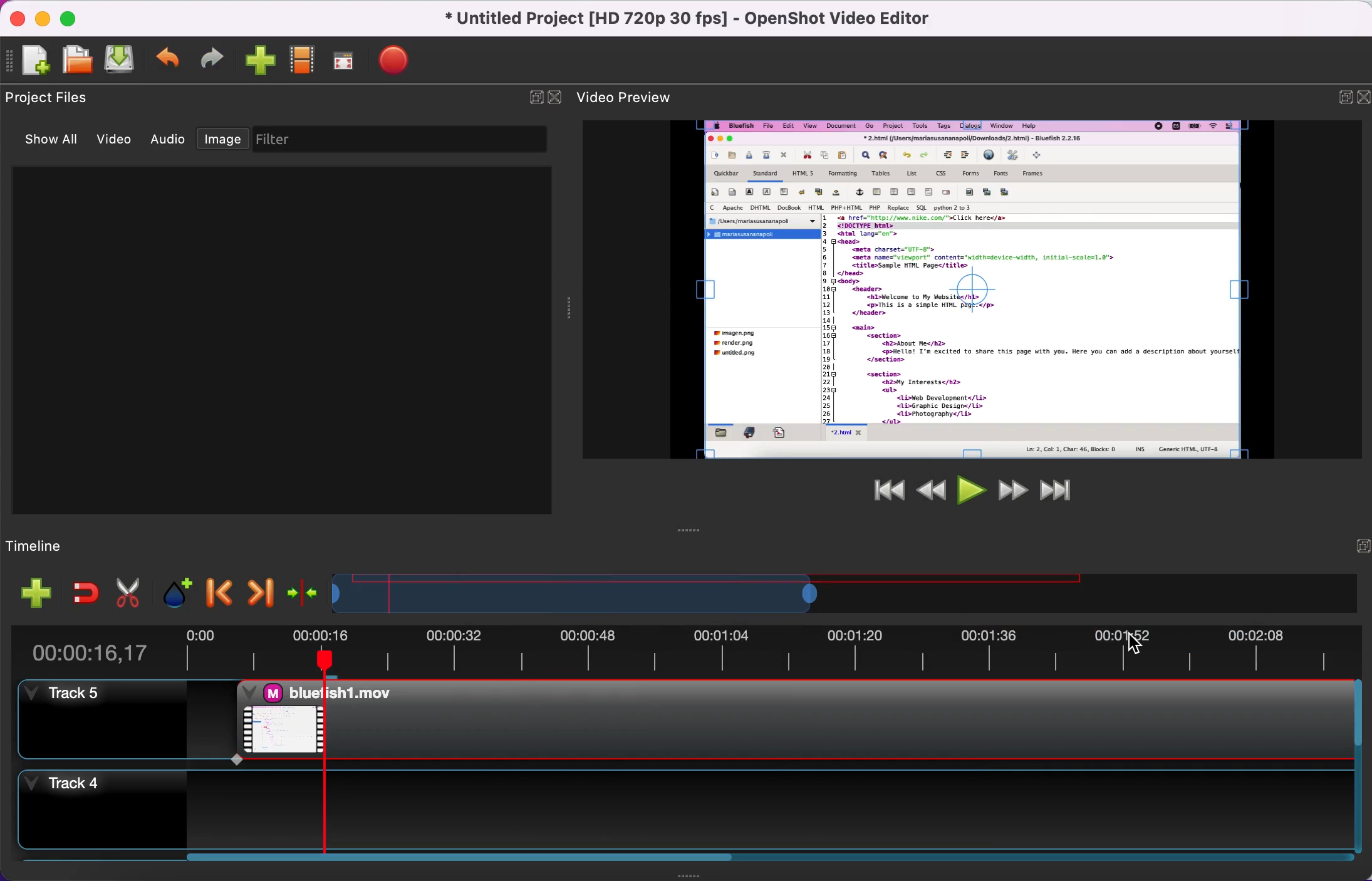  What do you see at coordinates (679, 807) in the screenshot?
I see `track 4` at bounding box center [679, 807].